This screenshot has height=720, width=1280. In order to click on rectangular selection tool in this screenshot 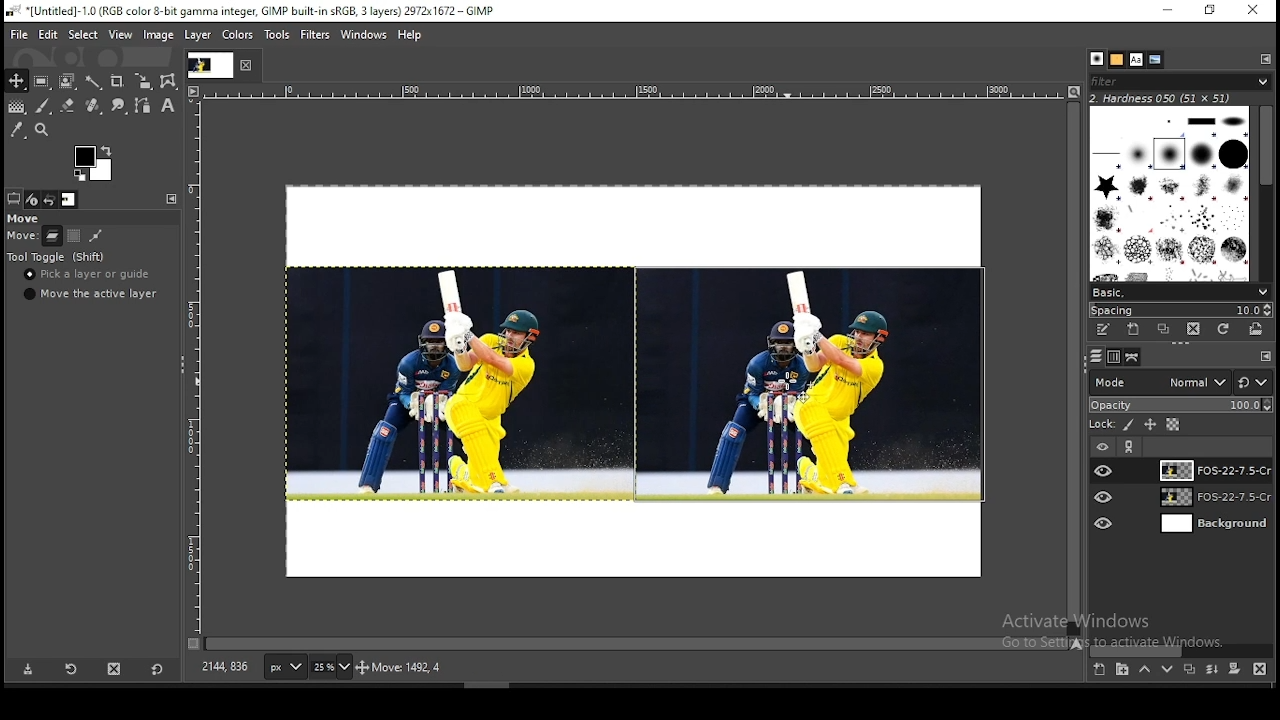, I will do `click(40, 81)`.